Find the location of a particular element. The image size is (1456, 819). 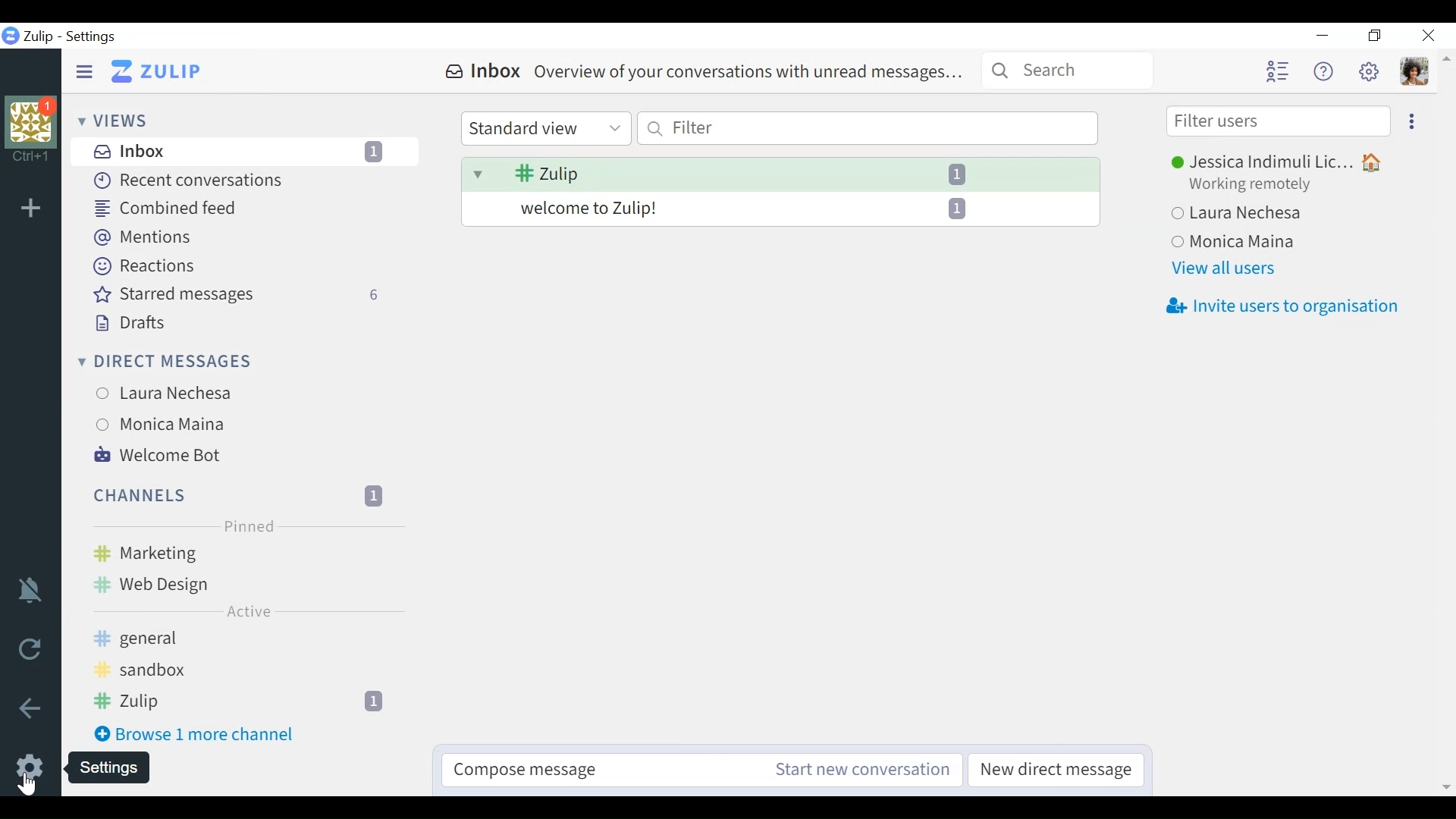

Filter users is located at coordinates (1277, 121).